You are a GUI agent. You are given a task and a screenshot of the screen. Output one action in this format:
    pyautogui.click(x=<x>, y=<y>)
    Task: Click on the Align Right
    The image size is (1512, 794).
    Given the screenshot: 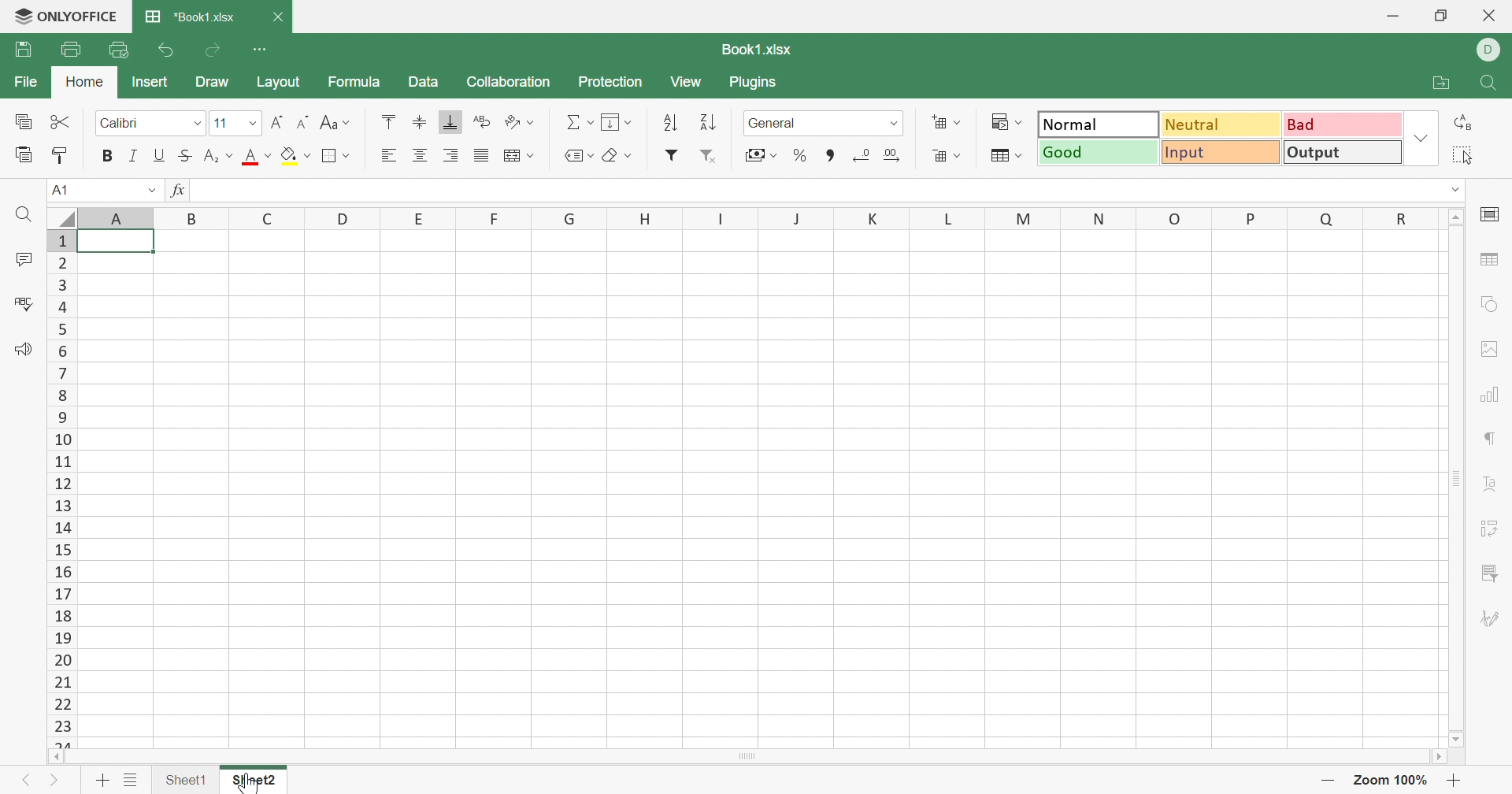 What is the action you would take?
    pyautogui.click(x=453, y=154)
    